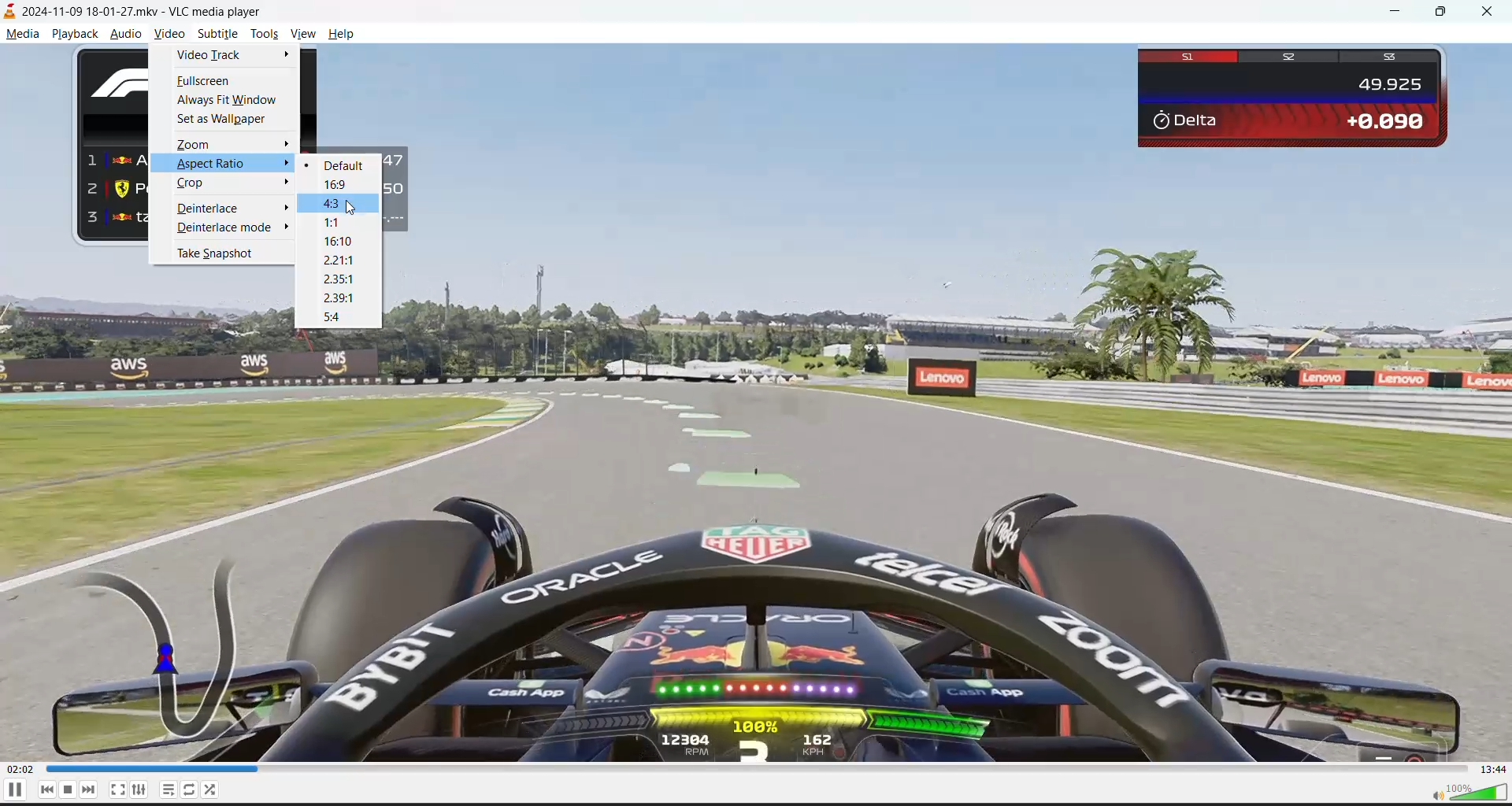  What do you see at coordinates (227, 227) in the screenshot?
I see `deinterlace mode` at bounding box center [227, 227].